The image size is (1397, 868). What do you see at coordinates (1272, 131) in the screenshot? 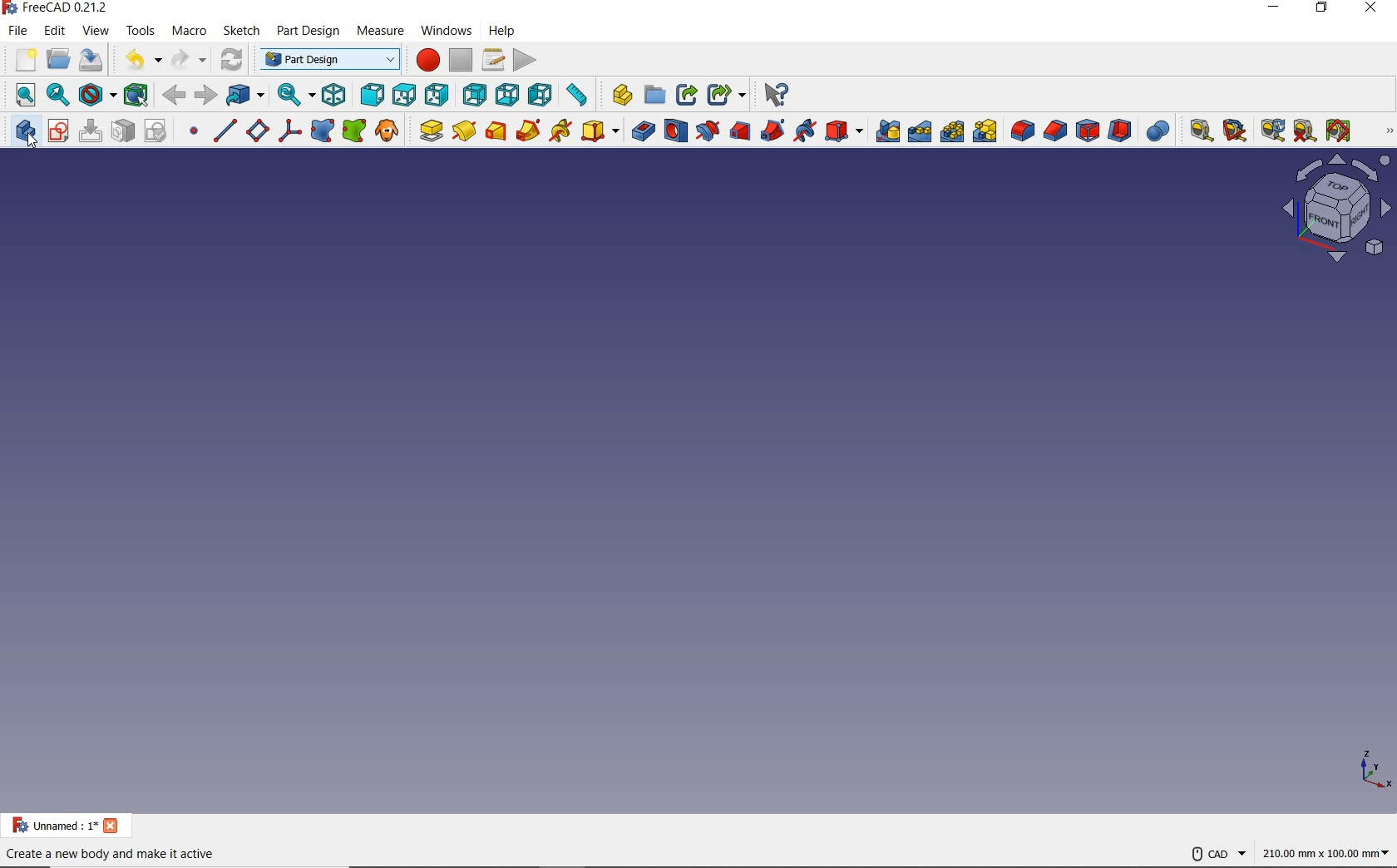
I see `REFRESH` at bounding box center [1272, 131].